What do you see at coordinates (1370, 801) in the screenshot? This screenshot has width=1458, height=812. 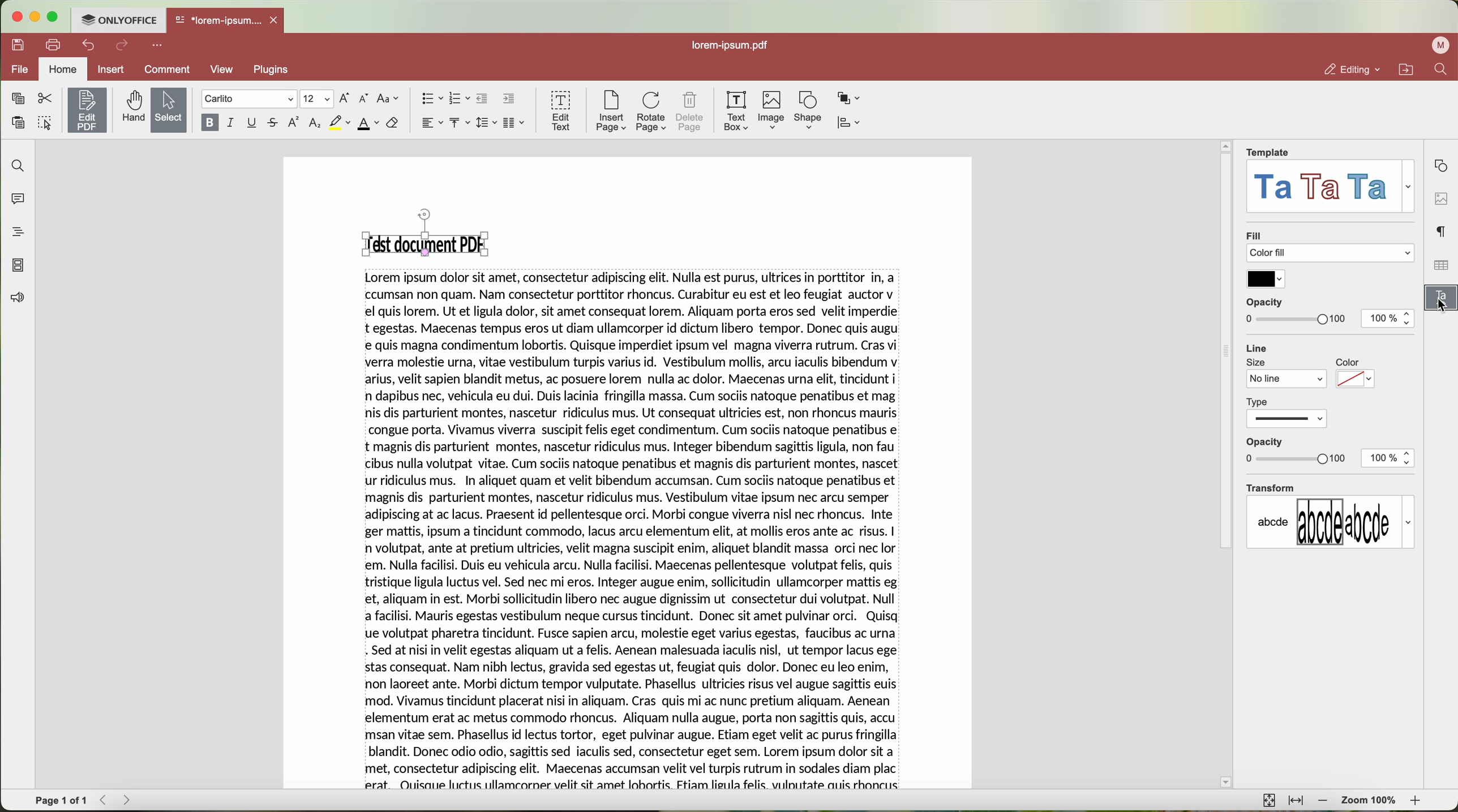 I see `zoom 100%` at bounding box center [1370, 801].